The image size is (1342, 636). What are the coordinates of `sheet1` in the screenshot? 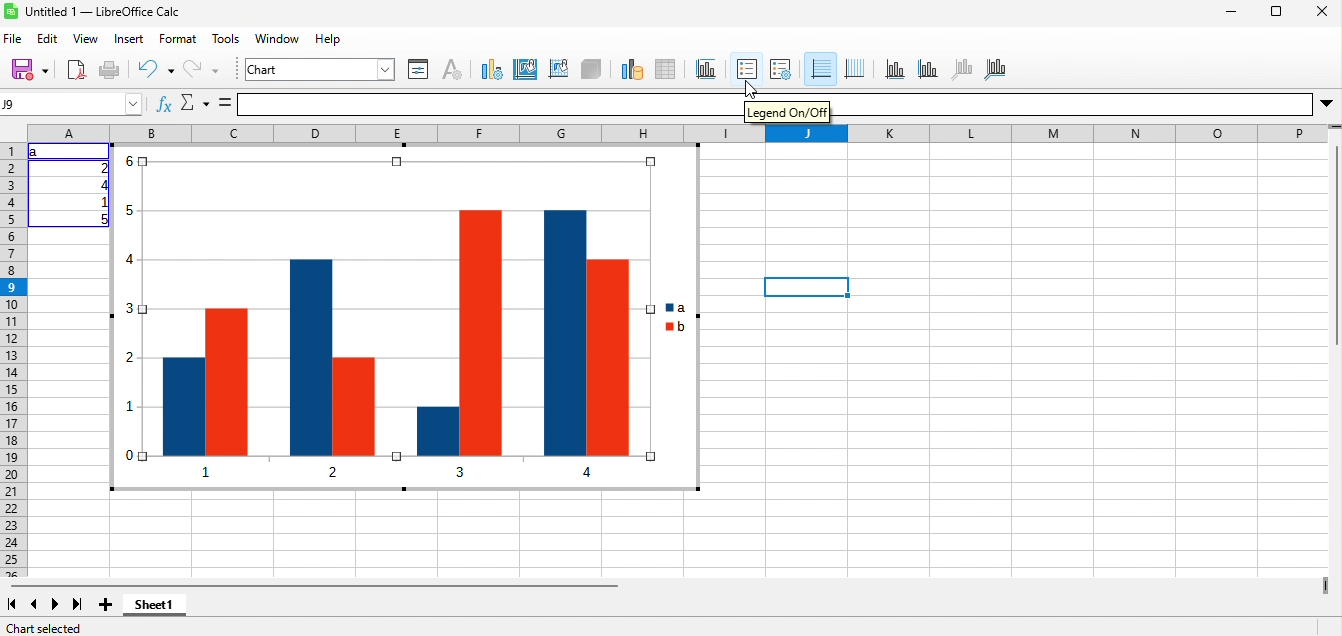 It's located at (154, 605).